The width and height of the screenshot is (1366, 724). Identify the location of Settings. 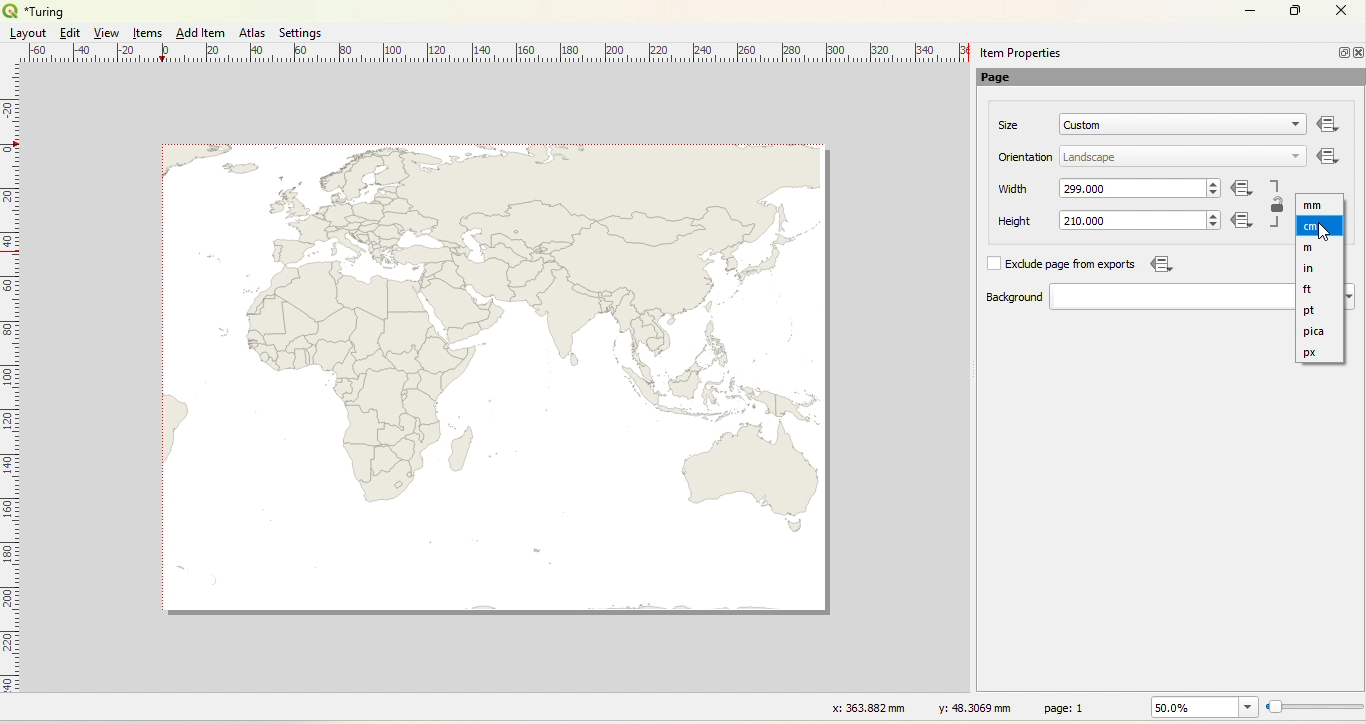
(302, 33).